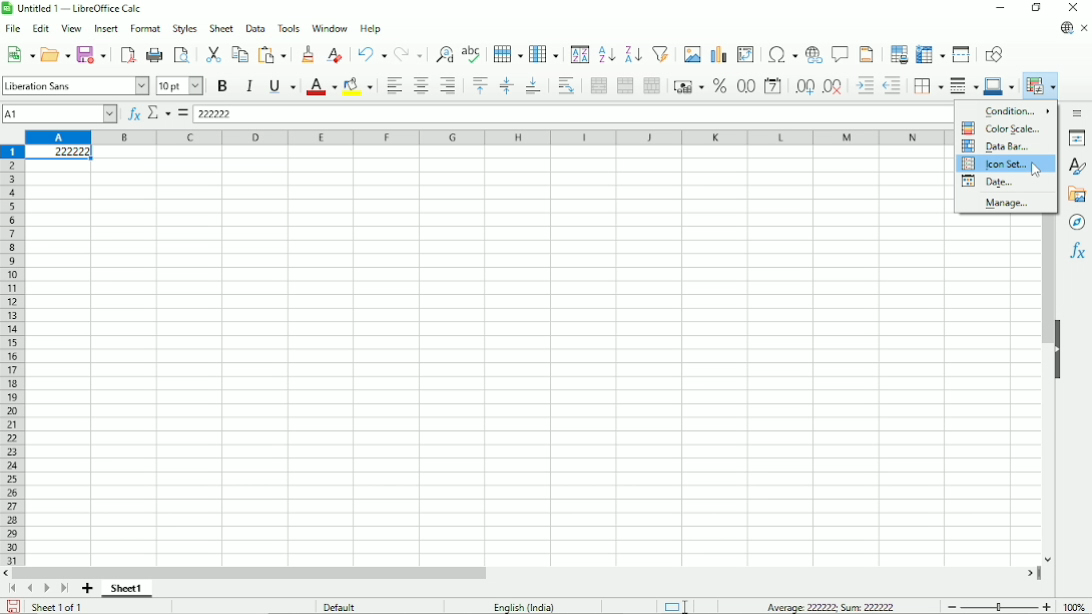  What do you see at coordinates (719, 86) in the screenshot?
I see `Format as percent` at bounding box center [719, 86].